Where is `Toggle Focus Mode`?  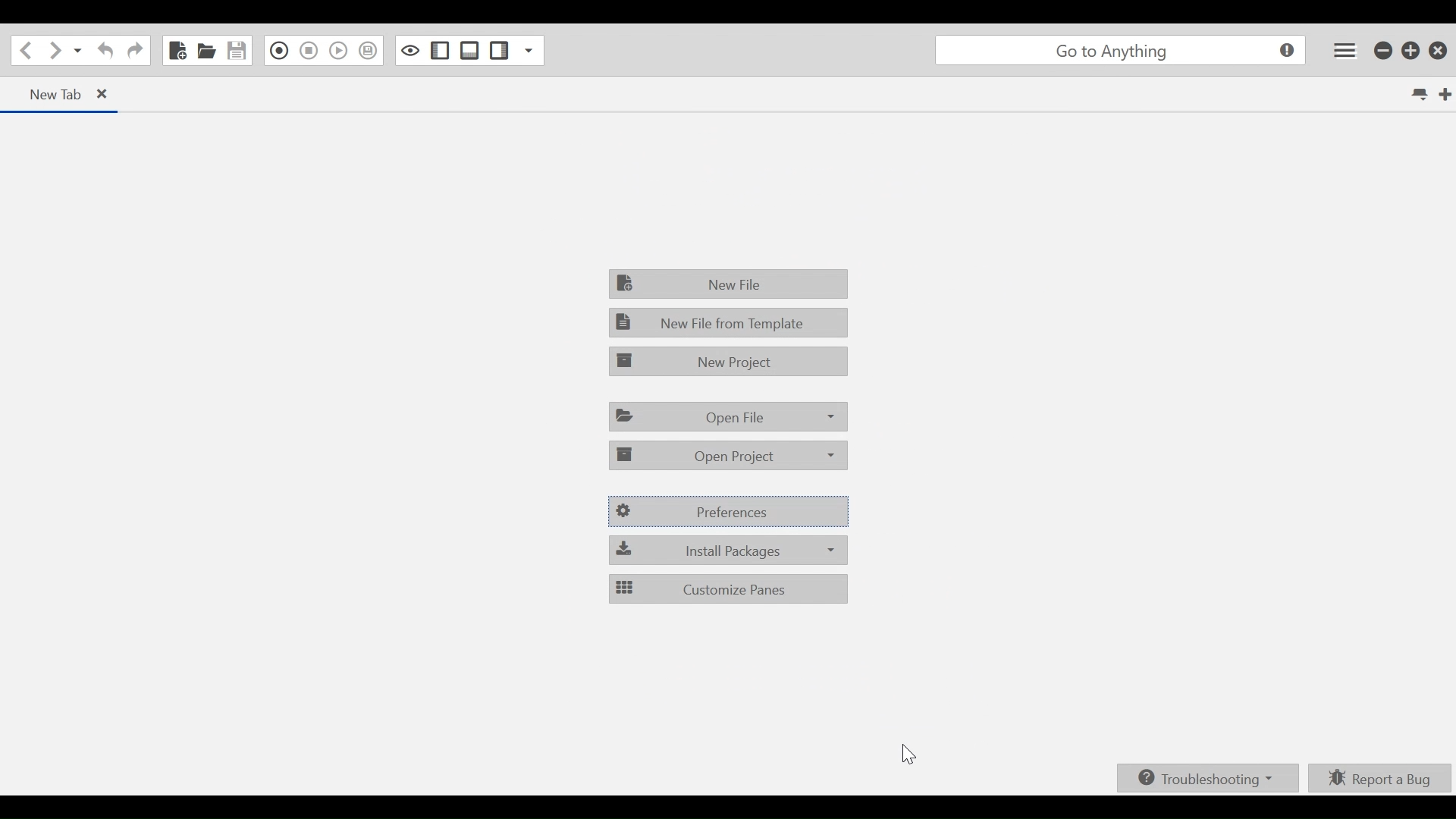
Toggle Focus Mode is located at coordinates (411, 50).